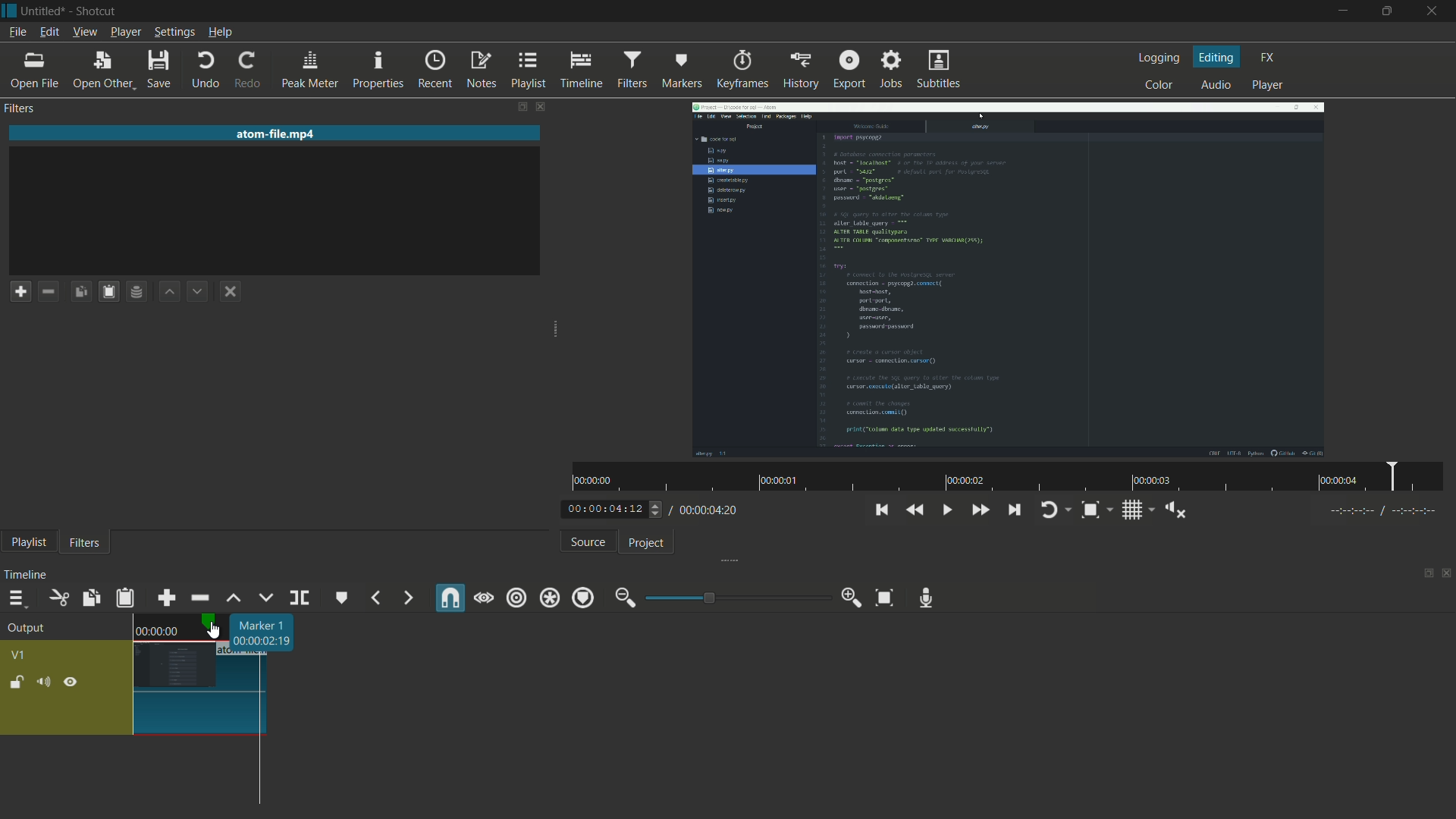 The width and height of the screenshot is (1456, 819). I want to click on deselect the filter, so click(231, 292).